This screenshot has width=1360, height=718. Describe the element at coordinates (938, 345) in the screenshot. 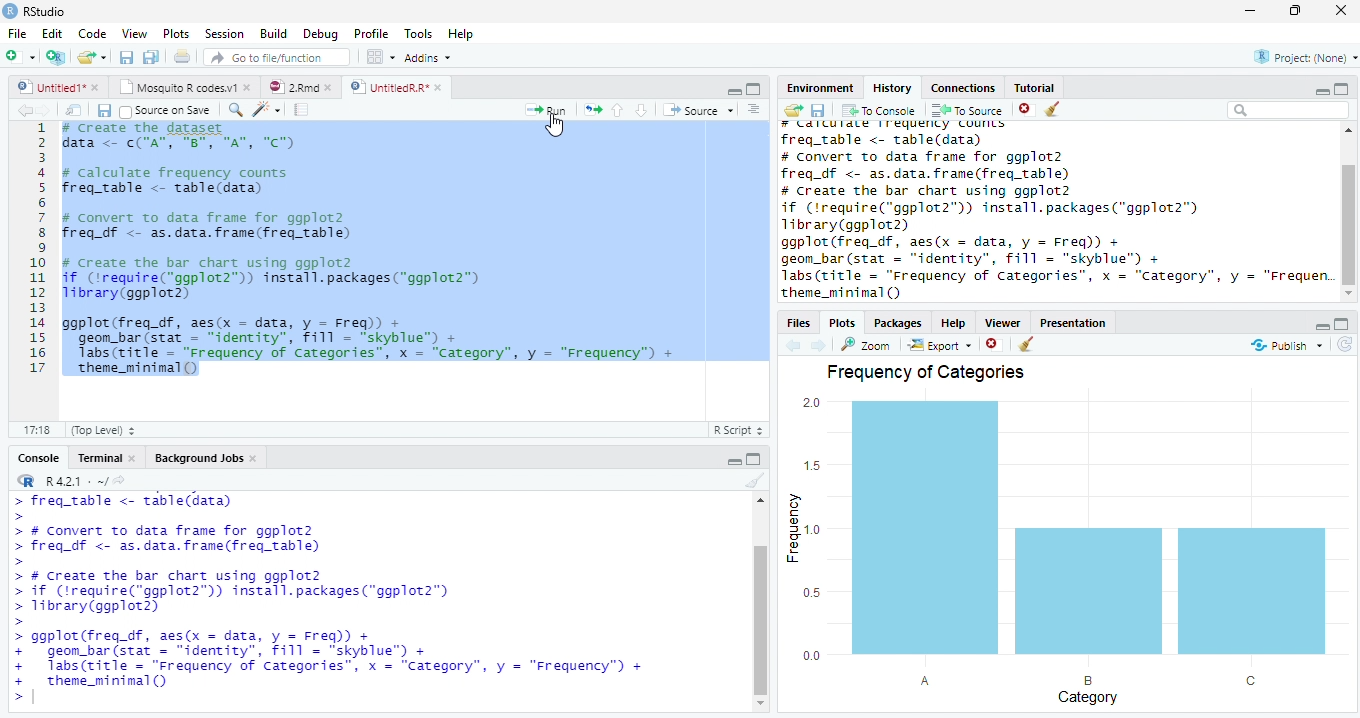

I see `Export` at that location.